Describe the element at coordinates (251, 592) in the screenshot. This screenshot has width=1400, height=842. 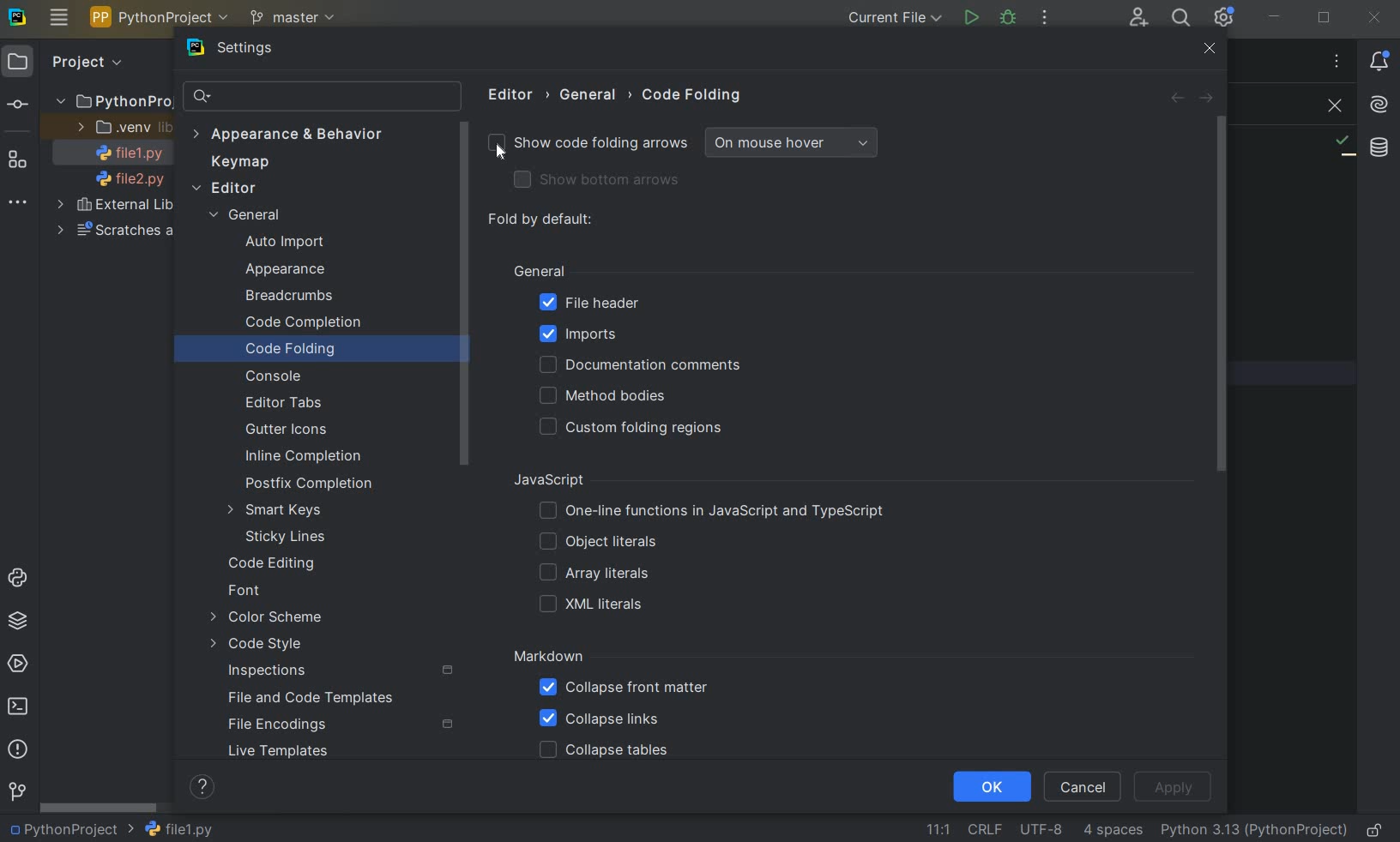
I see `FONT` at that location.